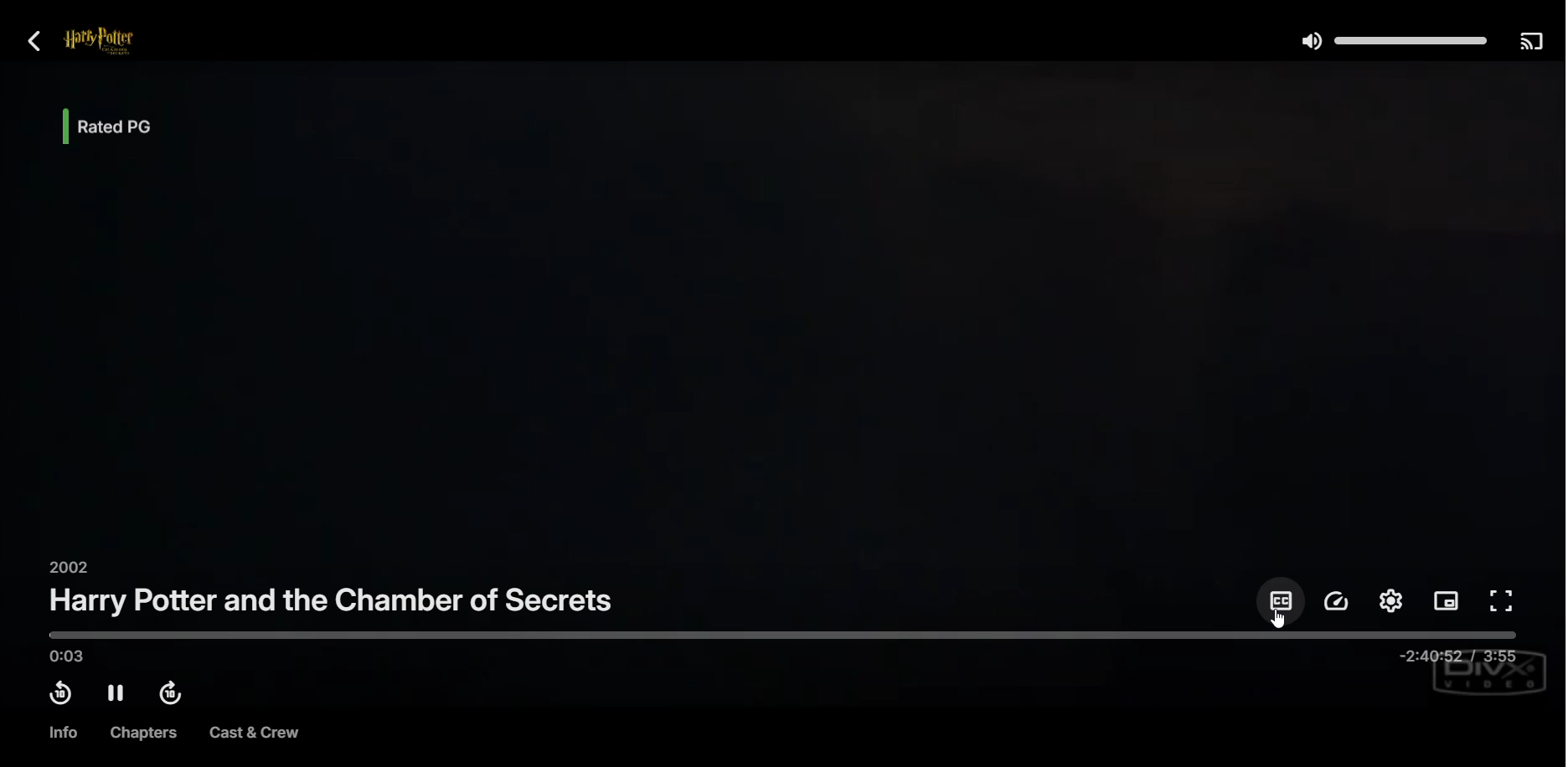 This screenshot has width=1568, height=767. I want to click on Harry Potter logo, so click(121, 42).